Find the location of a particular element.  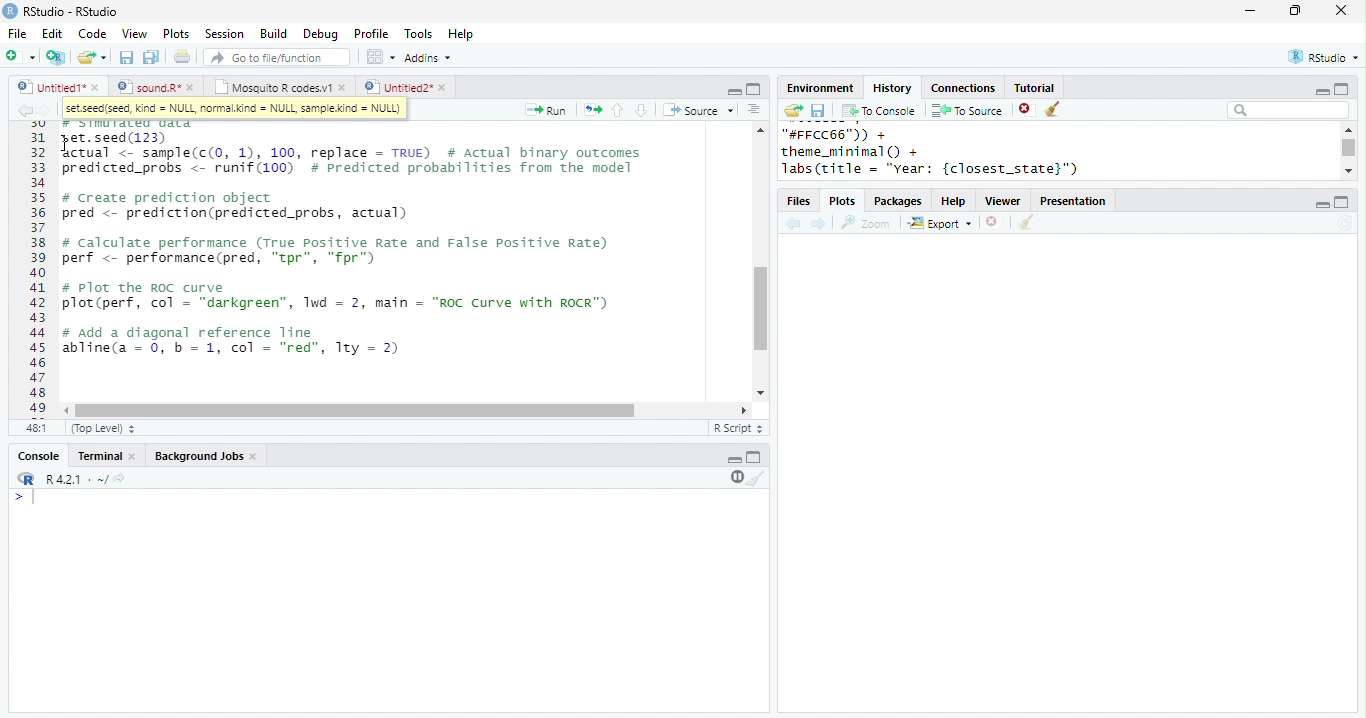

terminal is located at coordinates (97, 457).